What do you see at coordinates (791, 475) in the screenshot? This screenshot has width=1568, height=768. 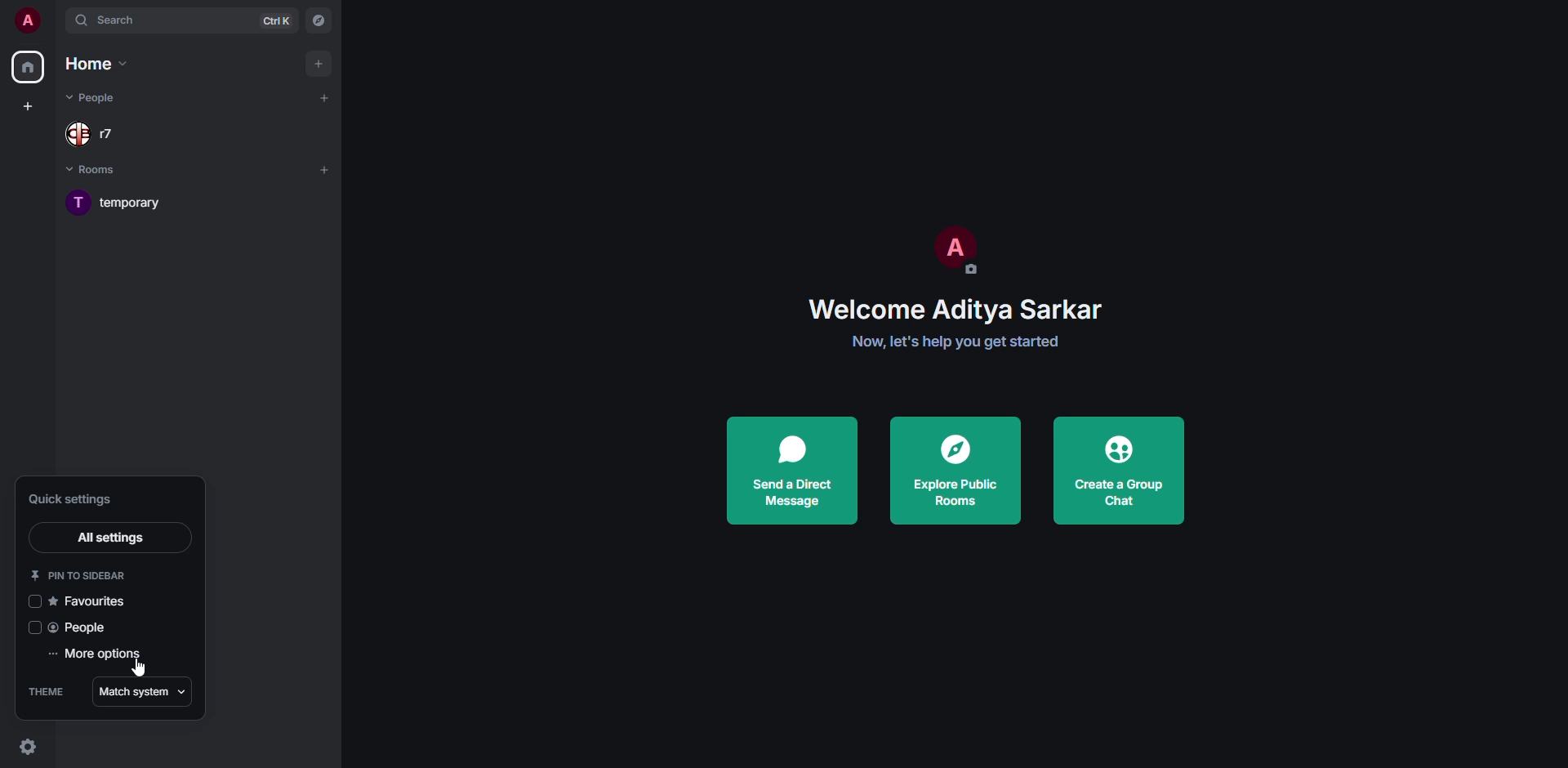 I see `send a direct message` at bounding box center [791, 475].